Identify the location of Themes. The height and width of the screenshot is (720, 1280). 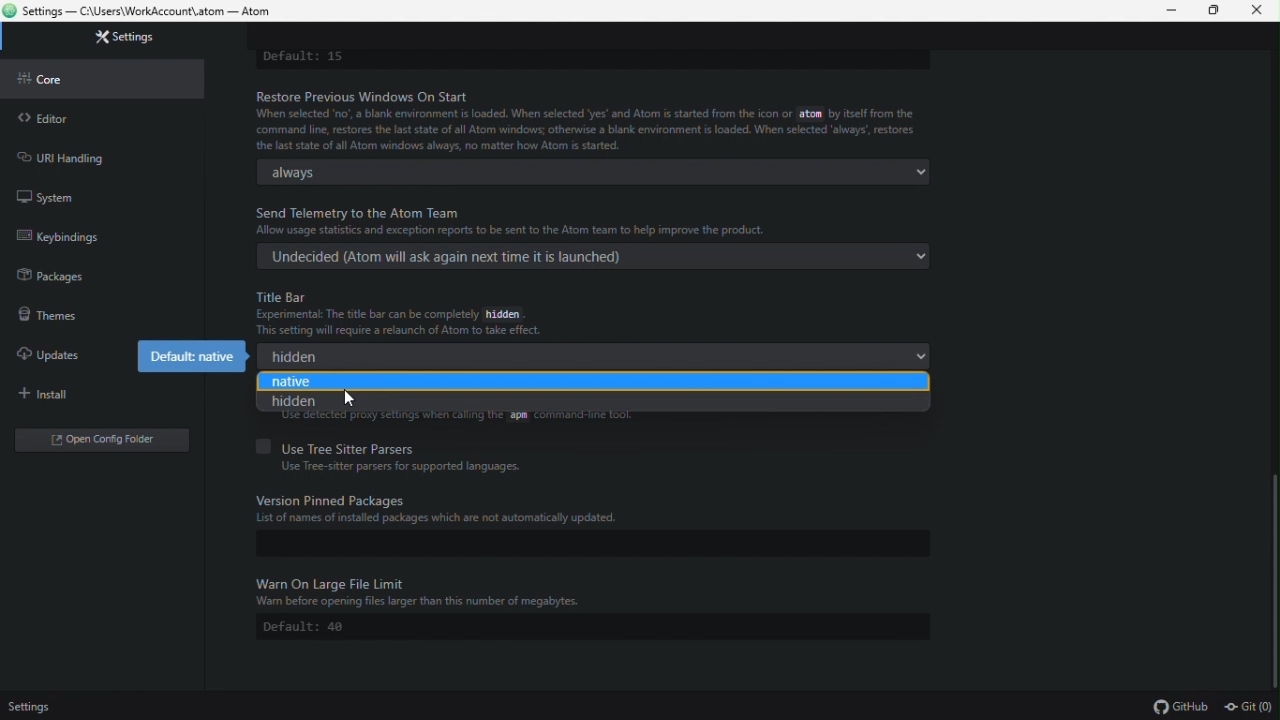
(96, 313).